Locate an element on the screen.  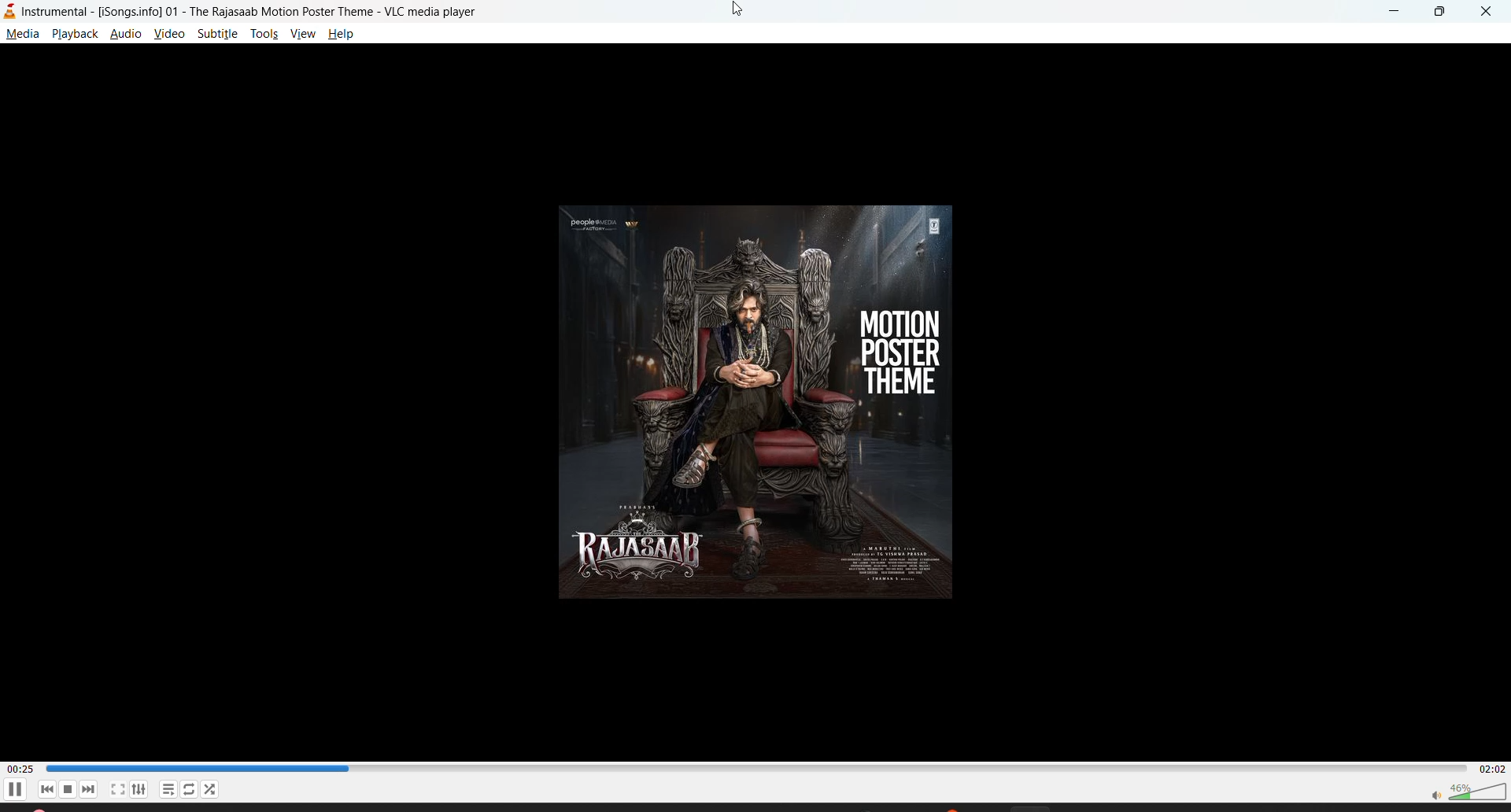
audio is located at coordinates (127, 35).